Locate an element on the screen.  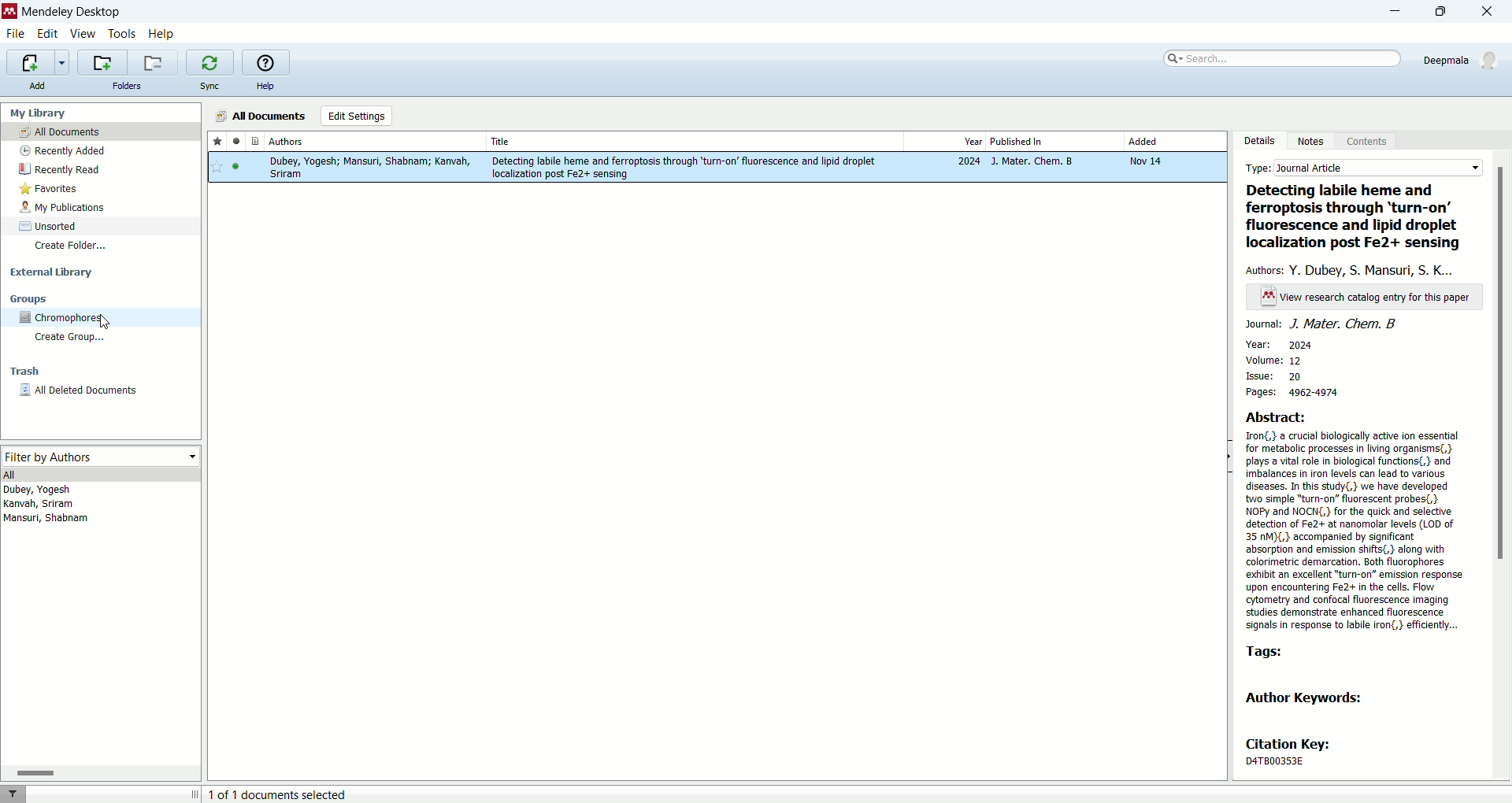
edit is located at coordinates (49, 33).